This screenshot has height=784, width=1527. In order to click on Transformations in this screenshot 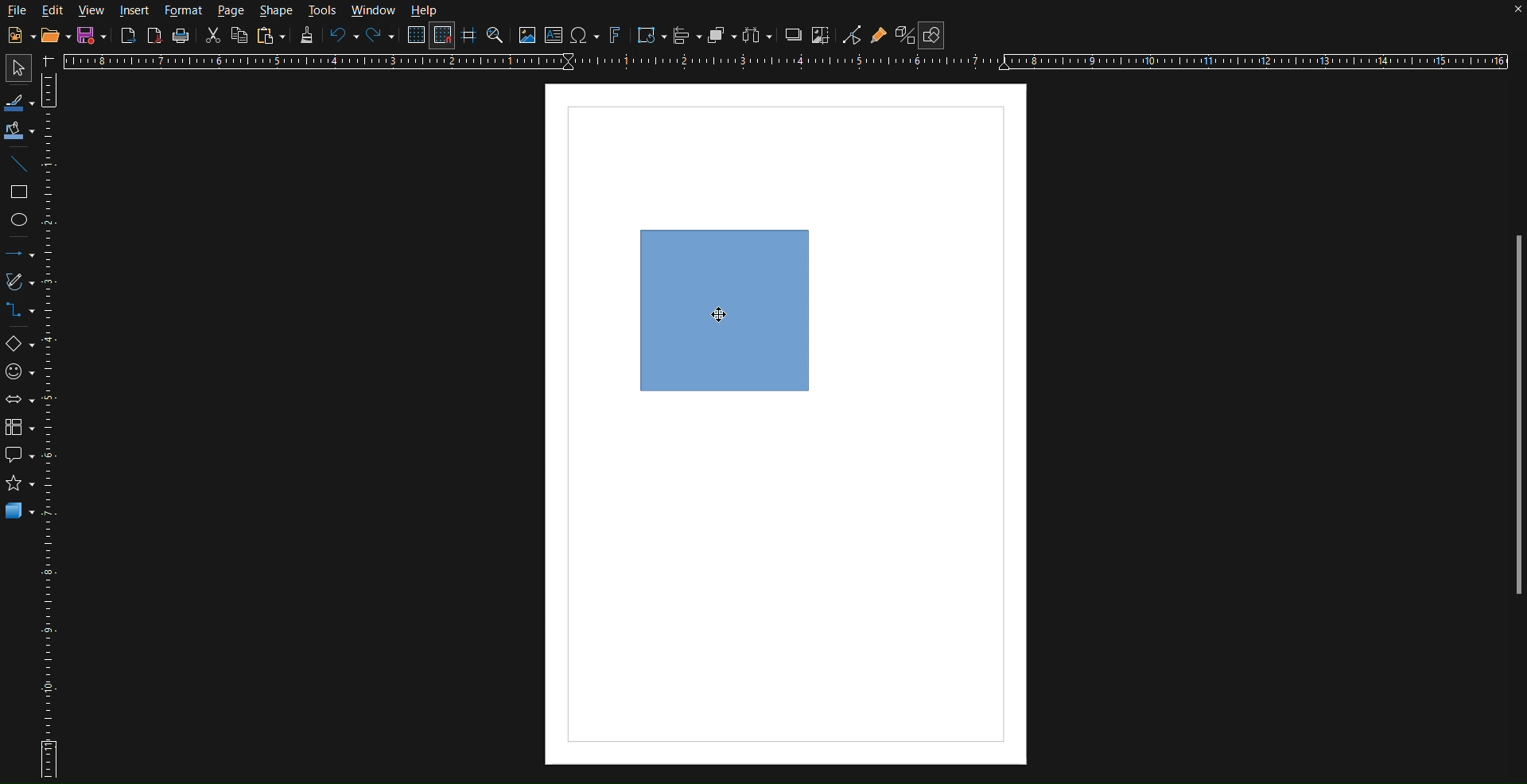, I will do `click(648, 35)`.